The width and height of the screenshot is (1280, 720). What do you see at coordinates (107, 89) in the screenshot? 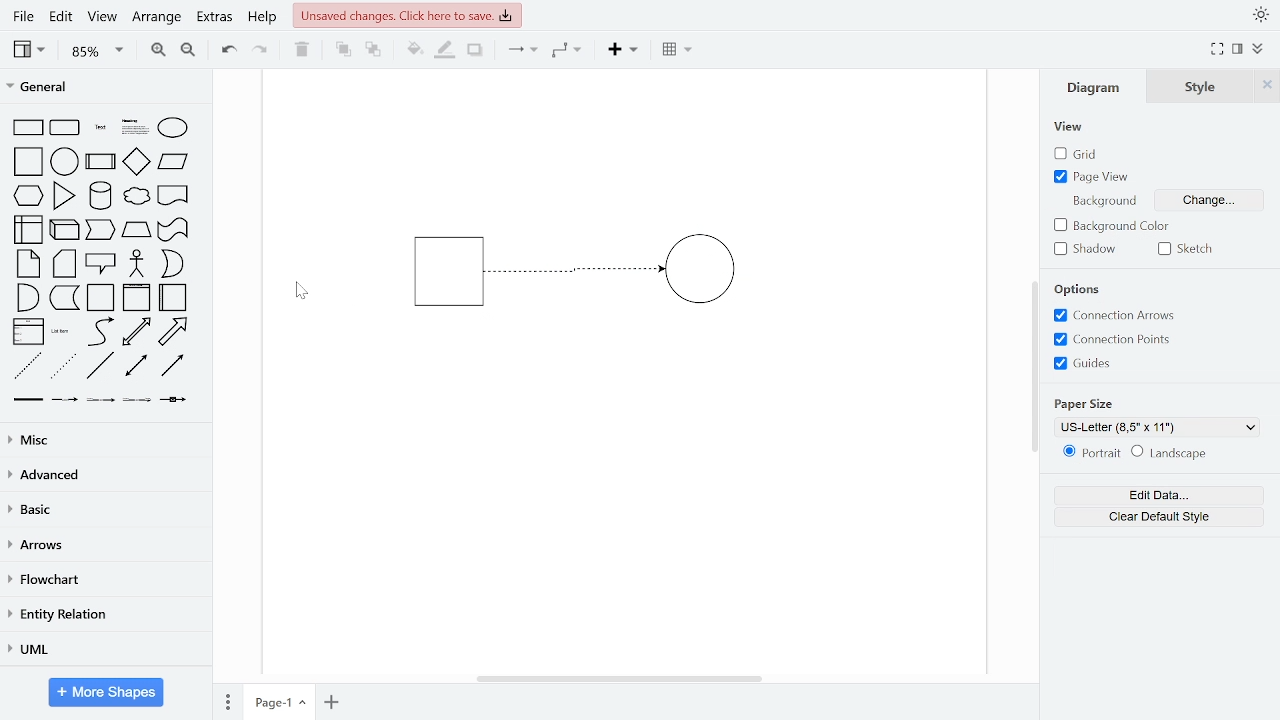
I see `general` at bounding box center [107, 89].